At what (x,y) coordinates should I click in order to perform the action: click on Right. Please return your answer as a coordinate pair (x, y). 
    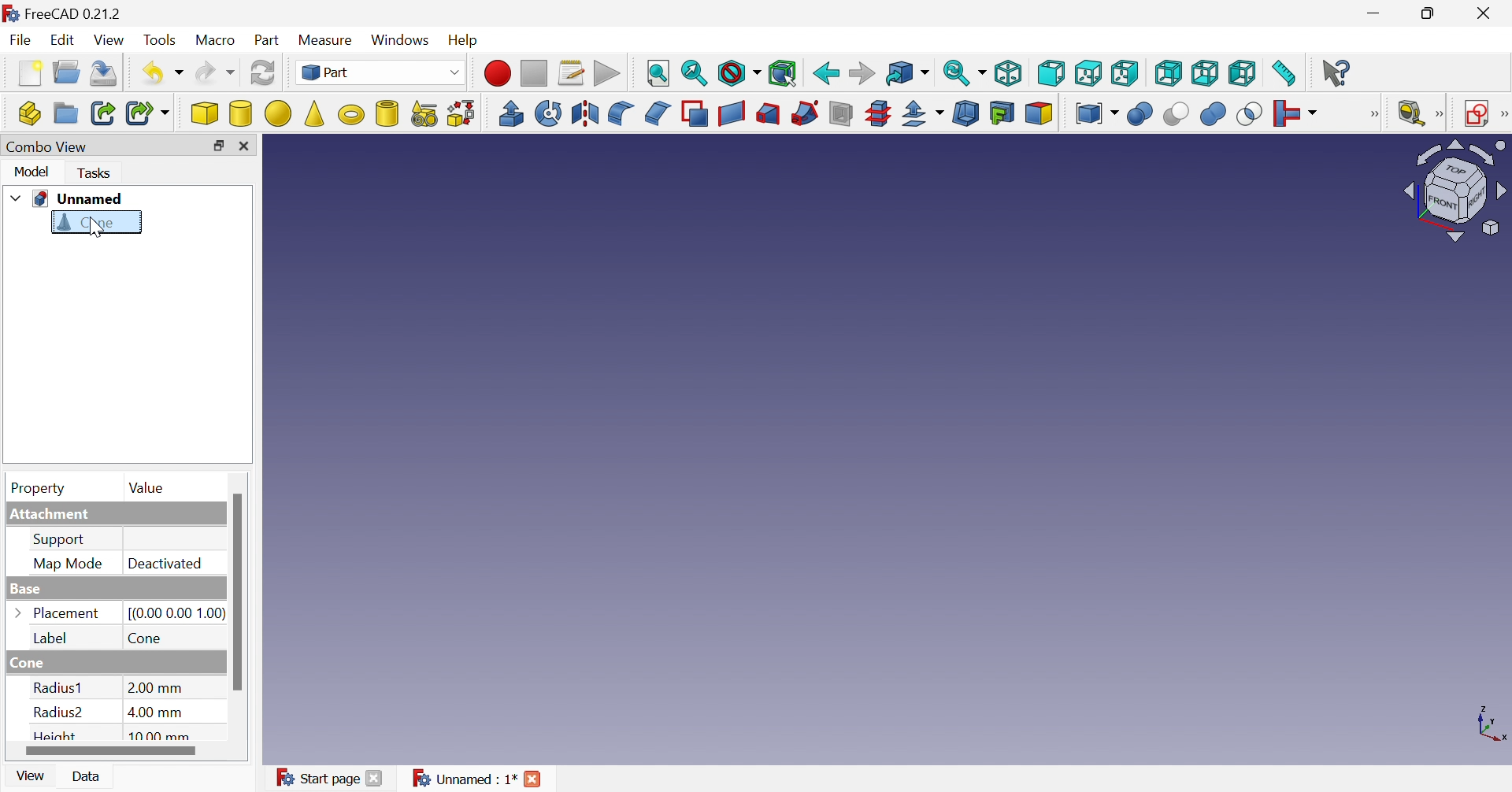
    Looking at the image, I should click on (1125, 73).